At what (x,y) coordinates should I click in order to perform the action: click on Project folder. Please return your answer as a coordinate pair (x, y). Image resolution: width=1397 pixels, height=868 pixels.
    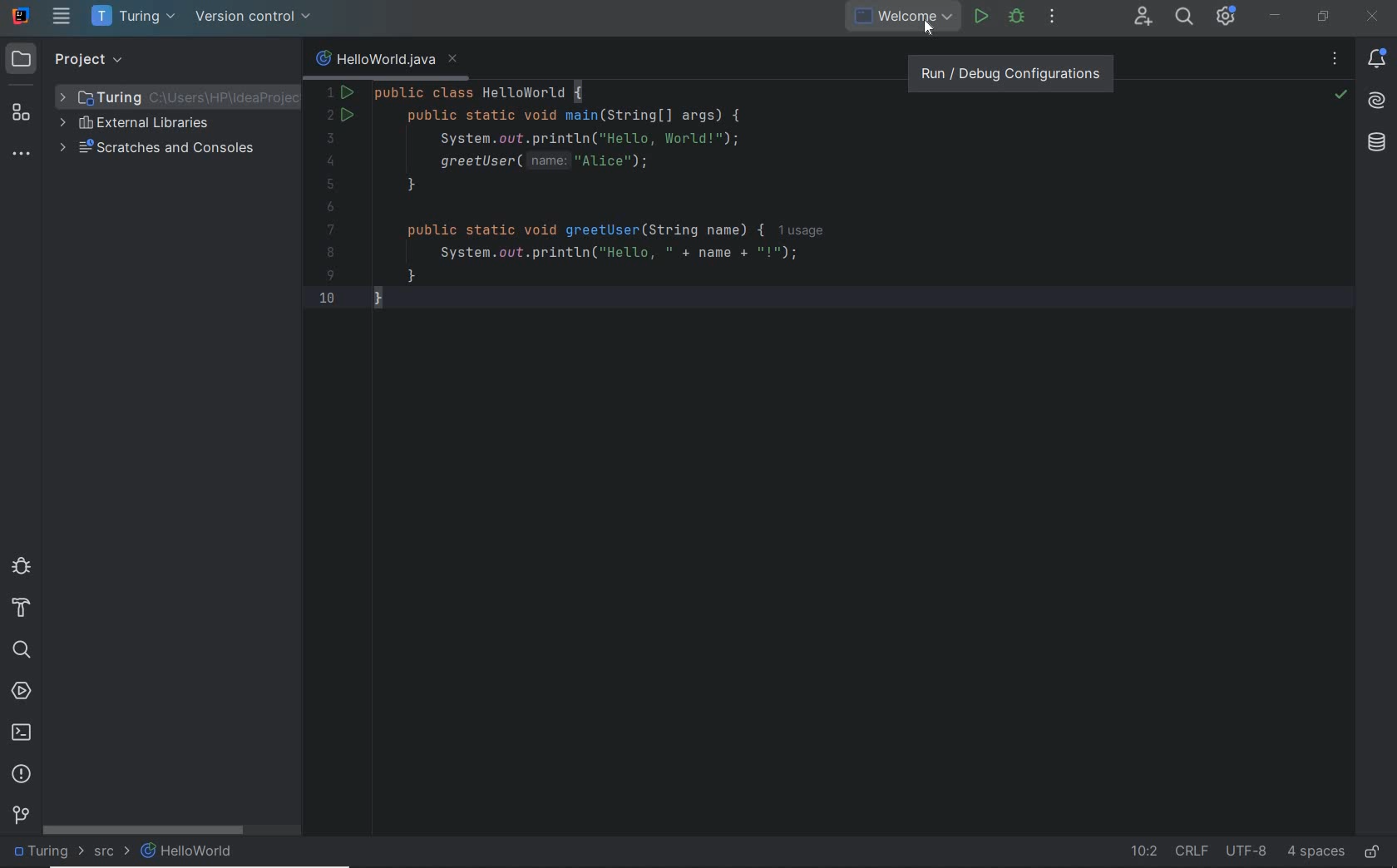
    Looking at the image, I should click on (163, 96).